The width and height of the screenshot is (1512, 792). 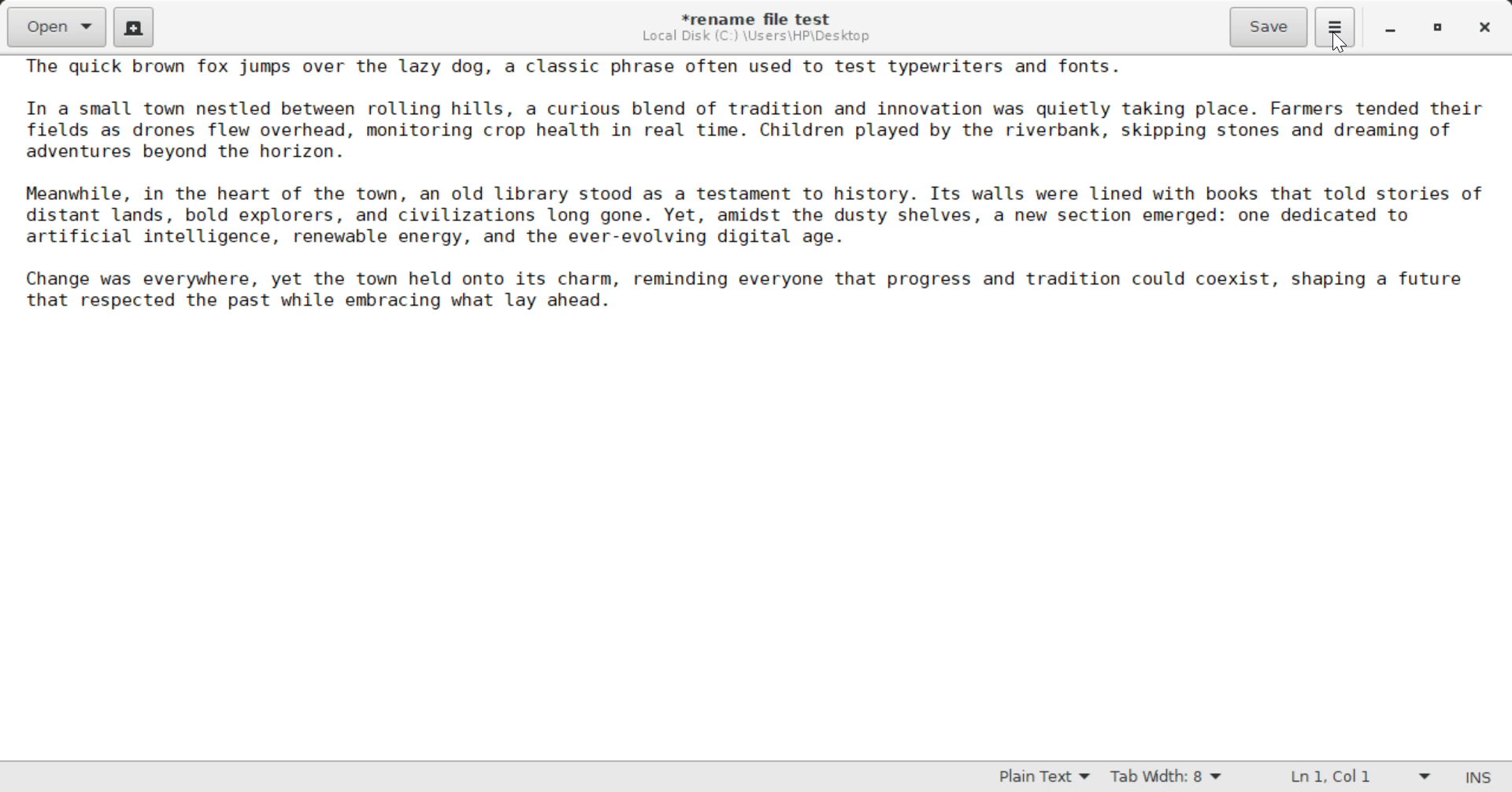 What do you see at coordinates (1483, 776) in the screenshot?
I see `Input Mode` at bounding box center [1483, 776].